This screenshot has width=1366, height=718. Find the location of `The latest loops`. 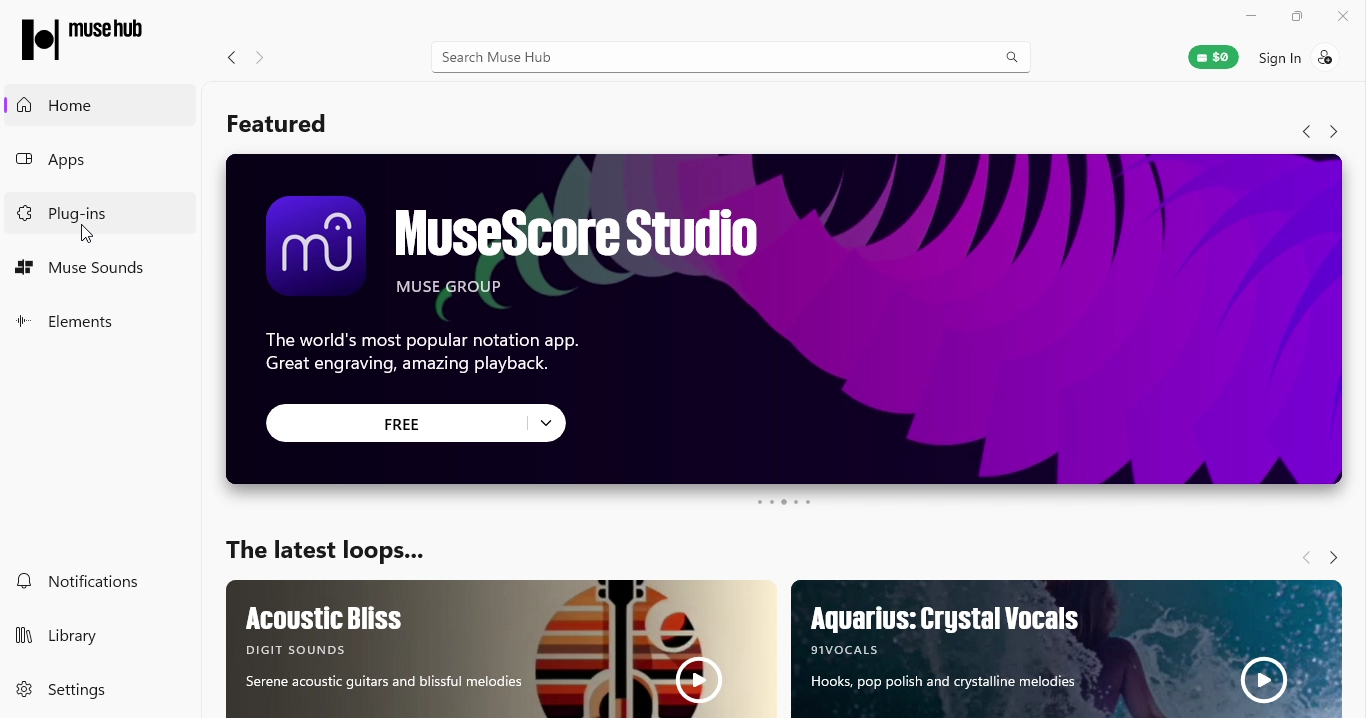

The latest loops is located at coordinates (333, 550).